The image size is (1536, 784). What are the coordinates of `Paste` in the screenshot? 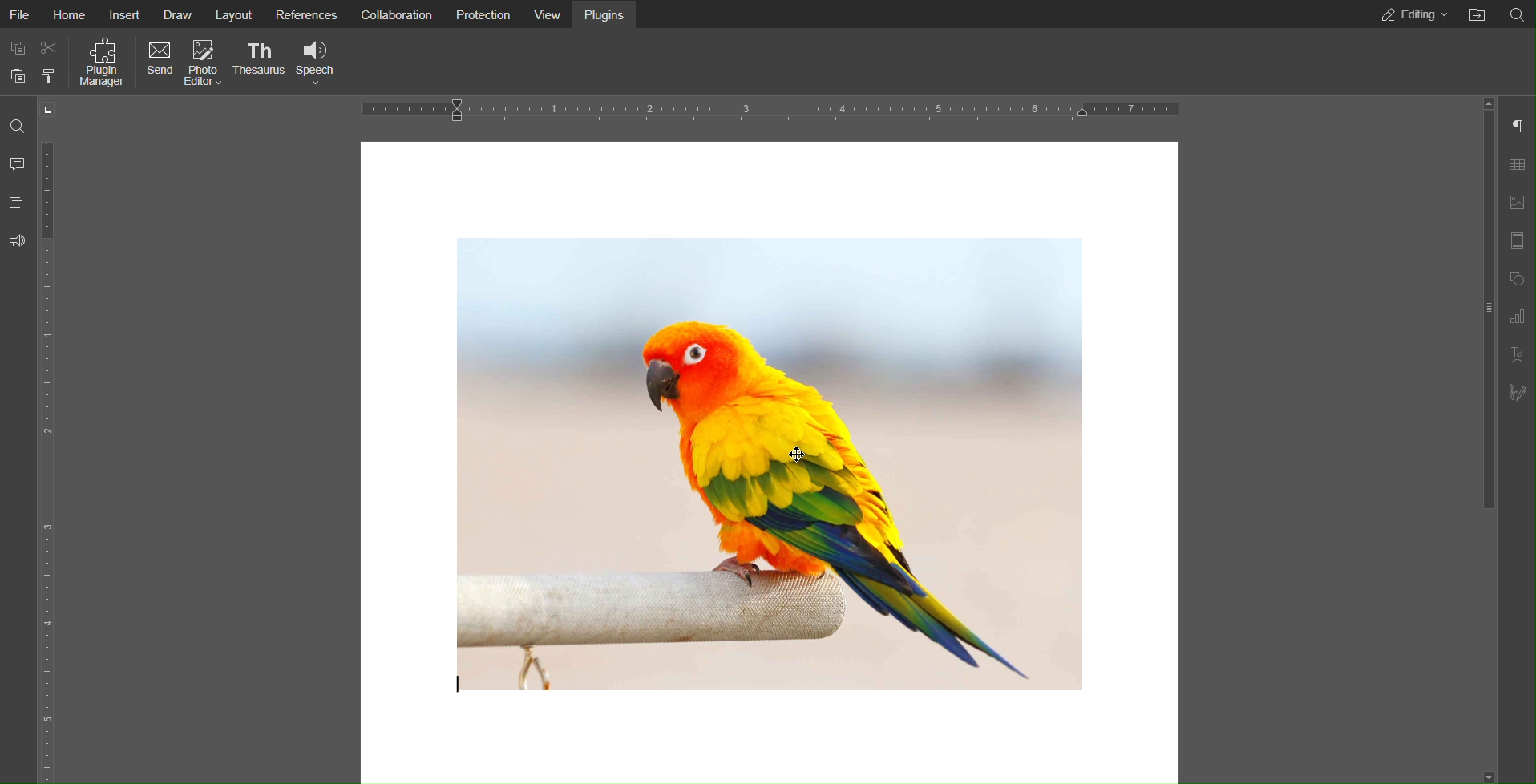 It's located at (18, 75).